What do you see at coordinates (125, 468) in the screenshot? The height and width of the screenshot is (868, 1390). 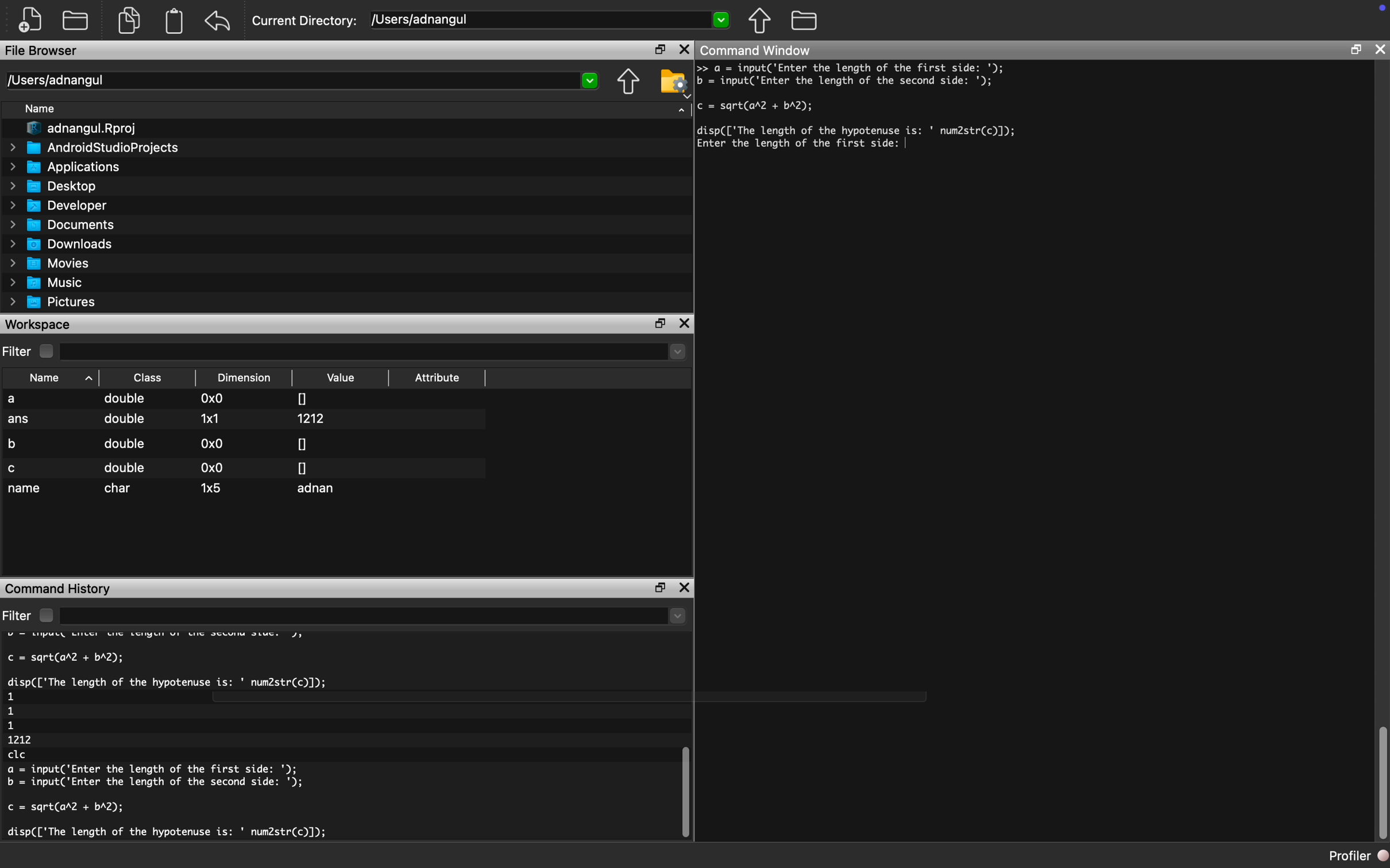 I see `double` at bounding box center [125, 468].